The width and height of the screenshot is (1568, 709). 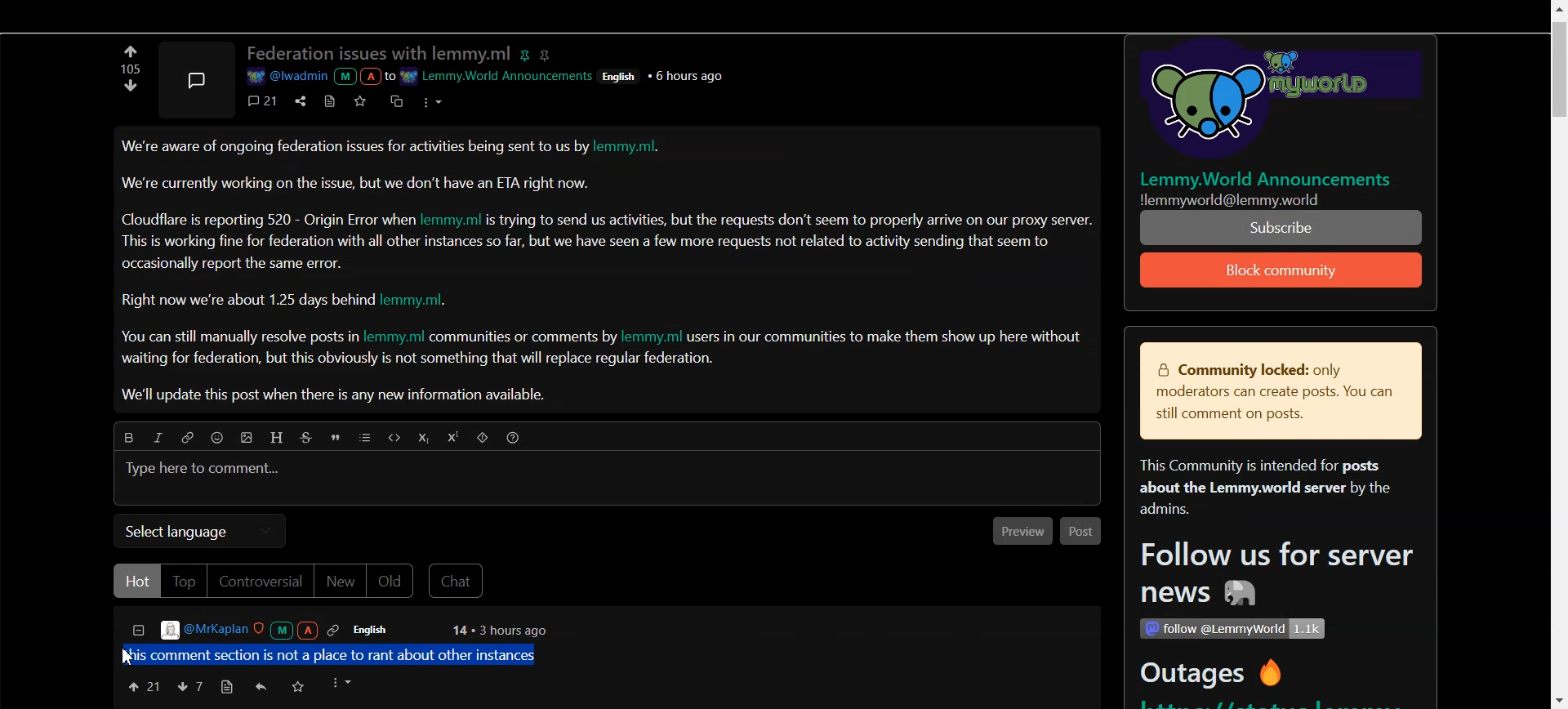 I want to click on Hyperlink, so click(x=187, y=438).